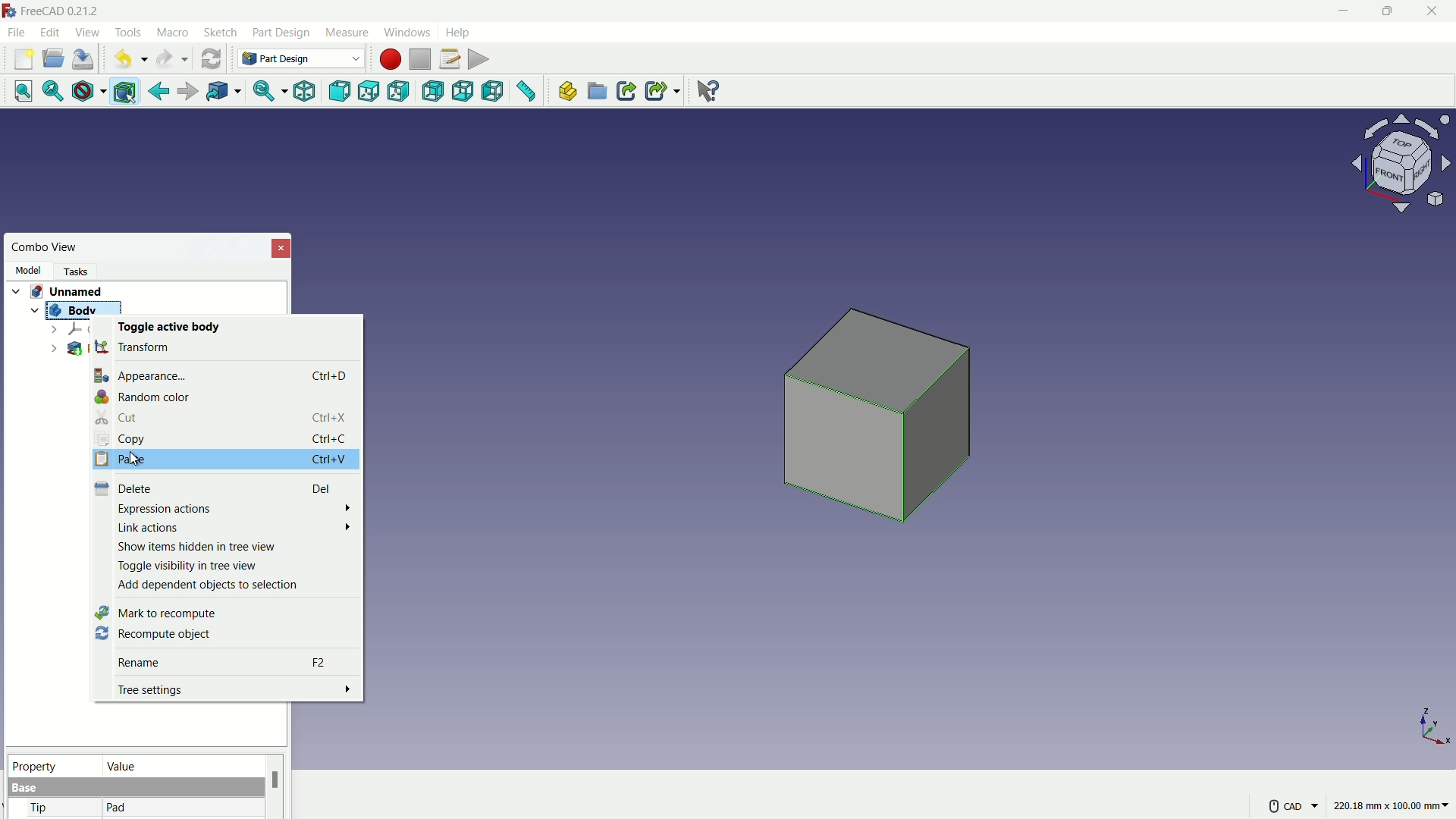 The image size is (1456, 819). What do you see at coordinates (212, 585) in the screenshot?
I see `‘Add dependent objects to selection` at bounding box center [212, 585].